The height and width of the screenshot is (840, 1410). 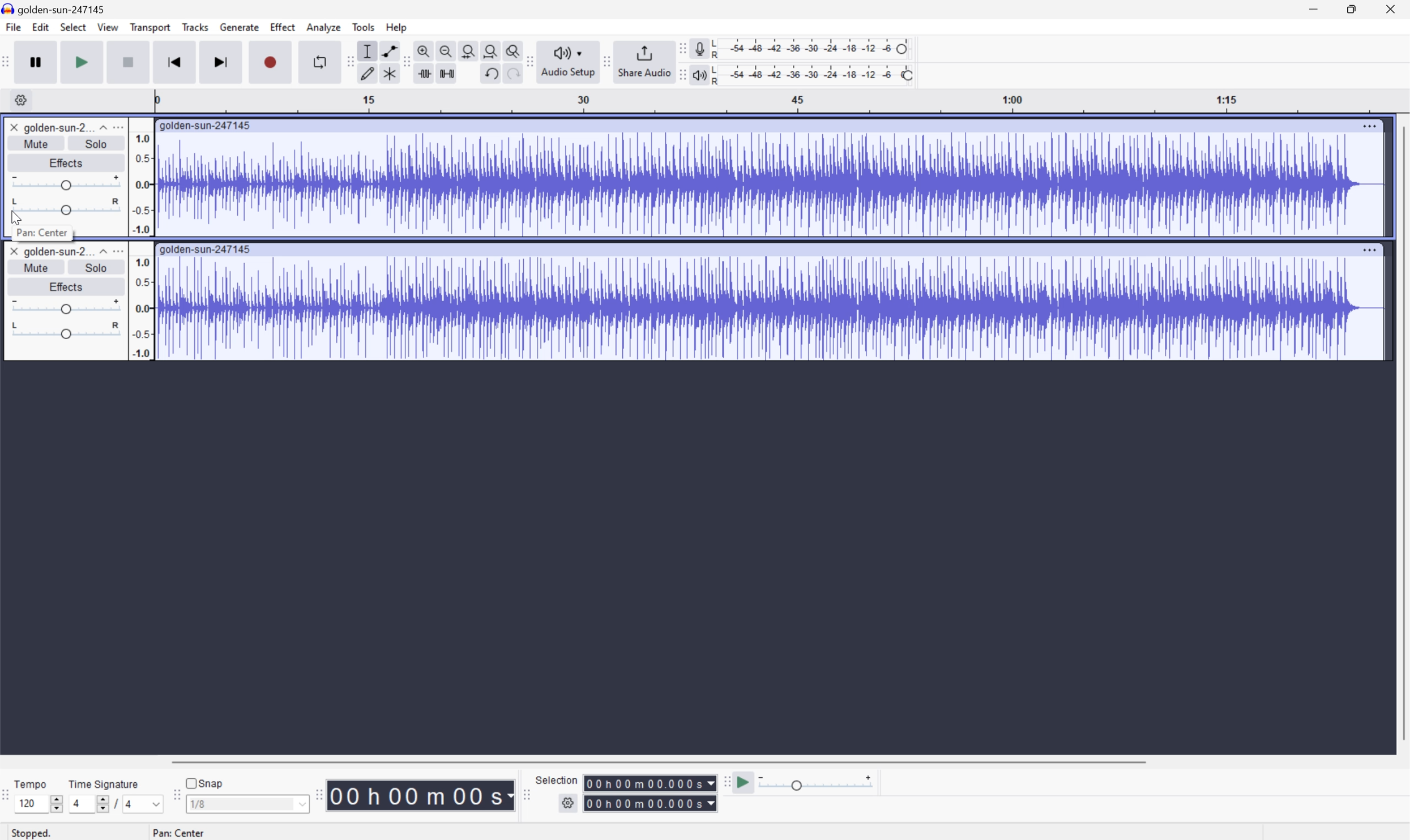 What do you see at coordinates (325, 28) in the screenshot?
I see `Analyze` at bounding box center [325, 28].